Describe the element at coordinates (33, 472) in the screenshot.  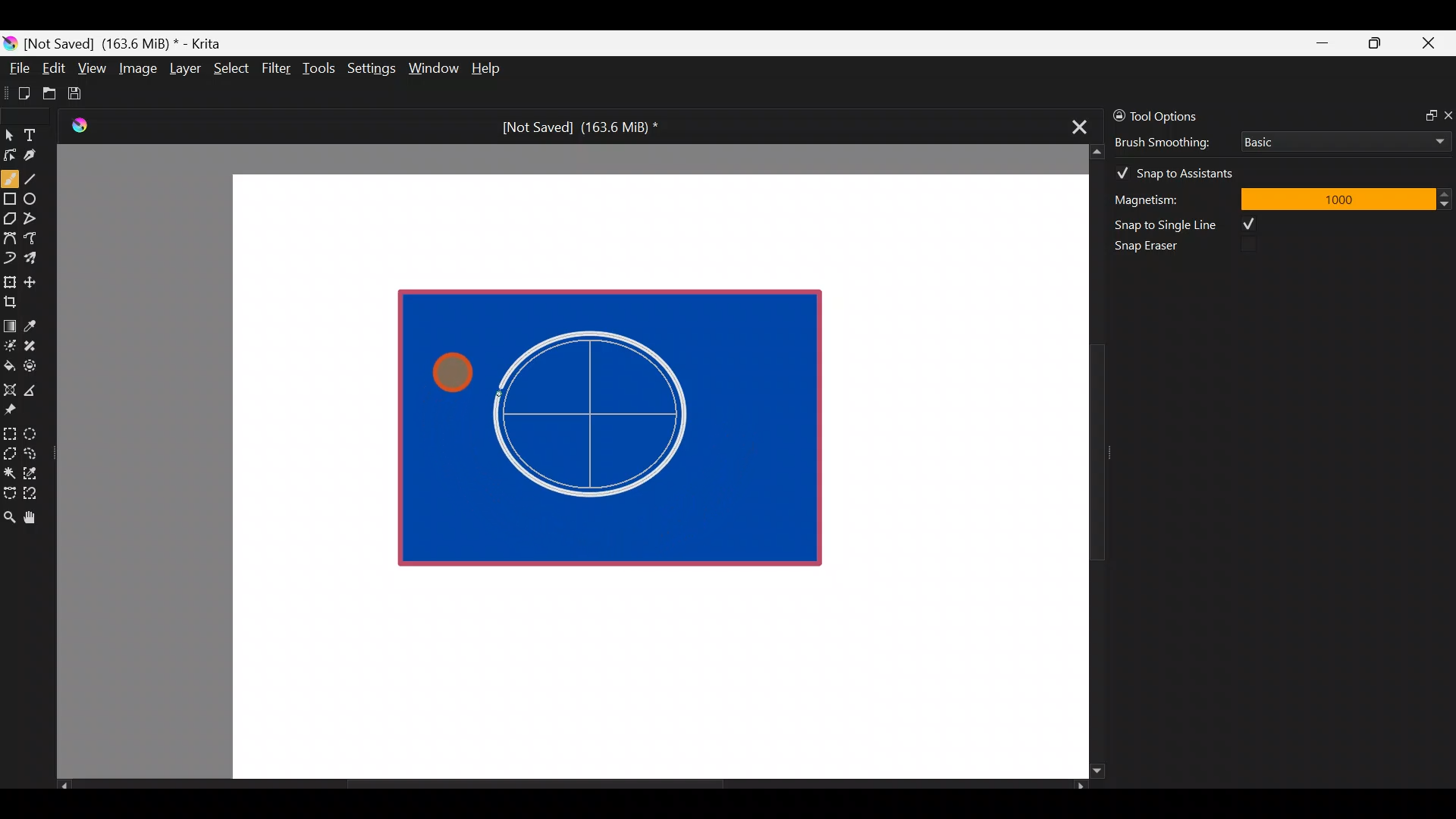
I see `Similar color selection tool` at that location.